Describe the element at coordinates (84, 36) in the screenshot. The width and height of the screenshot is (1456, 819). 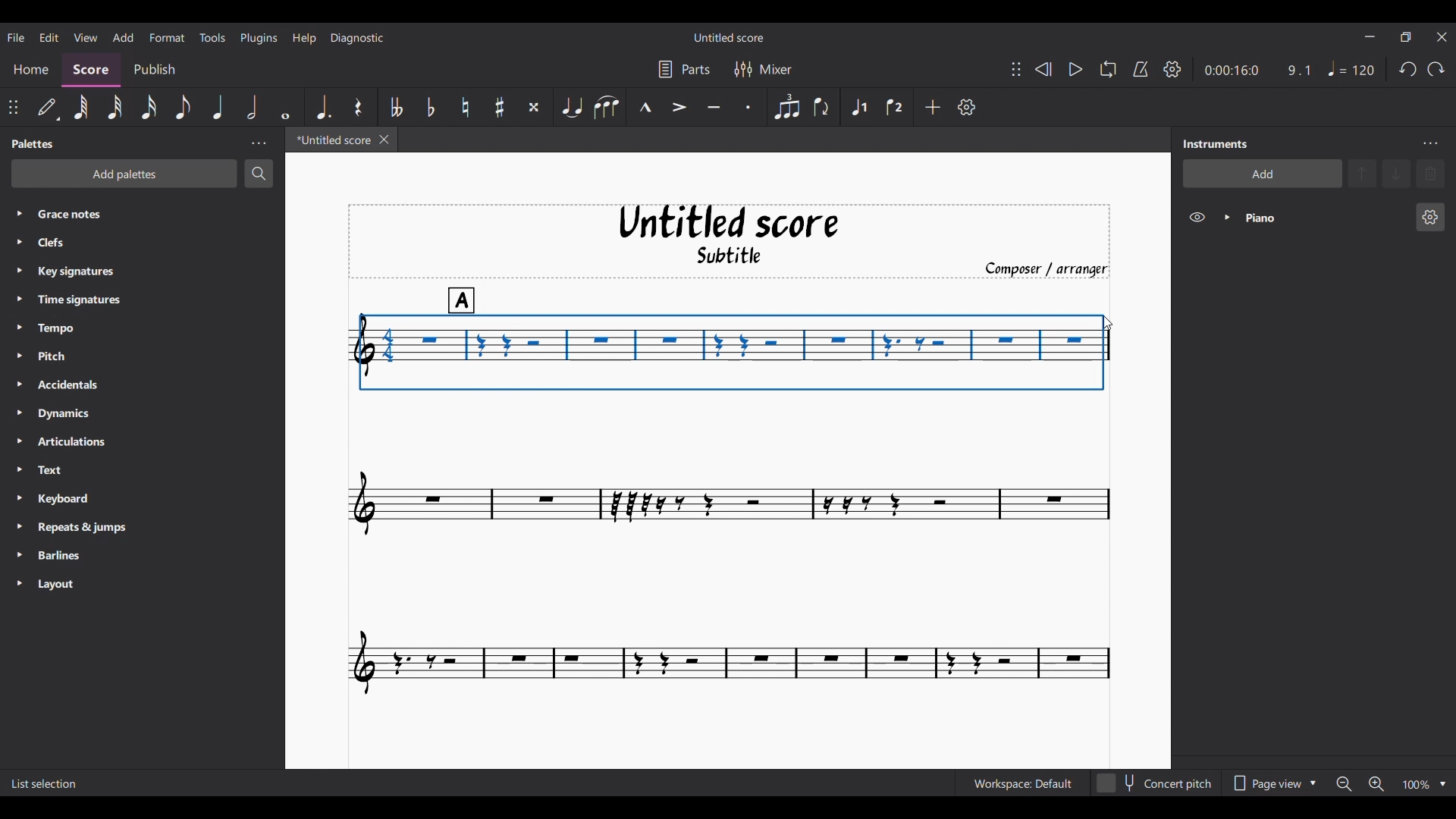
I see `View menu` at that location.